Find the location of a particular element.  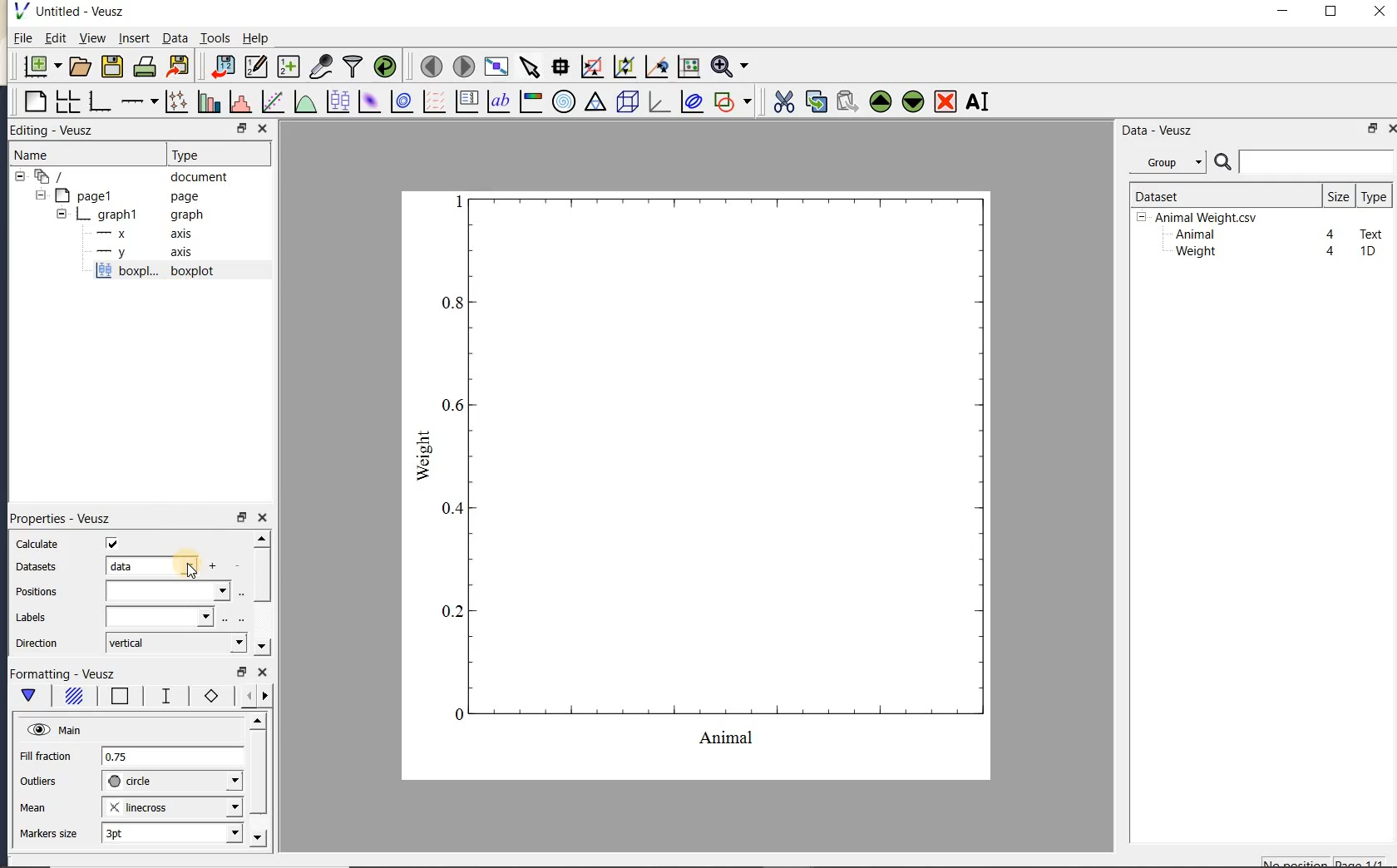

Text is located at coordinates (1372, 232).